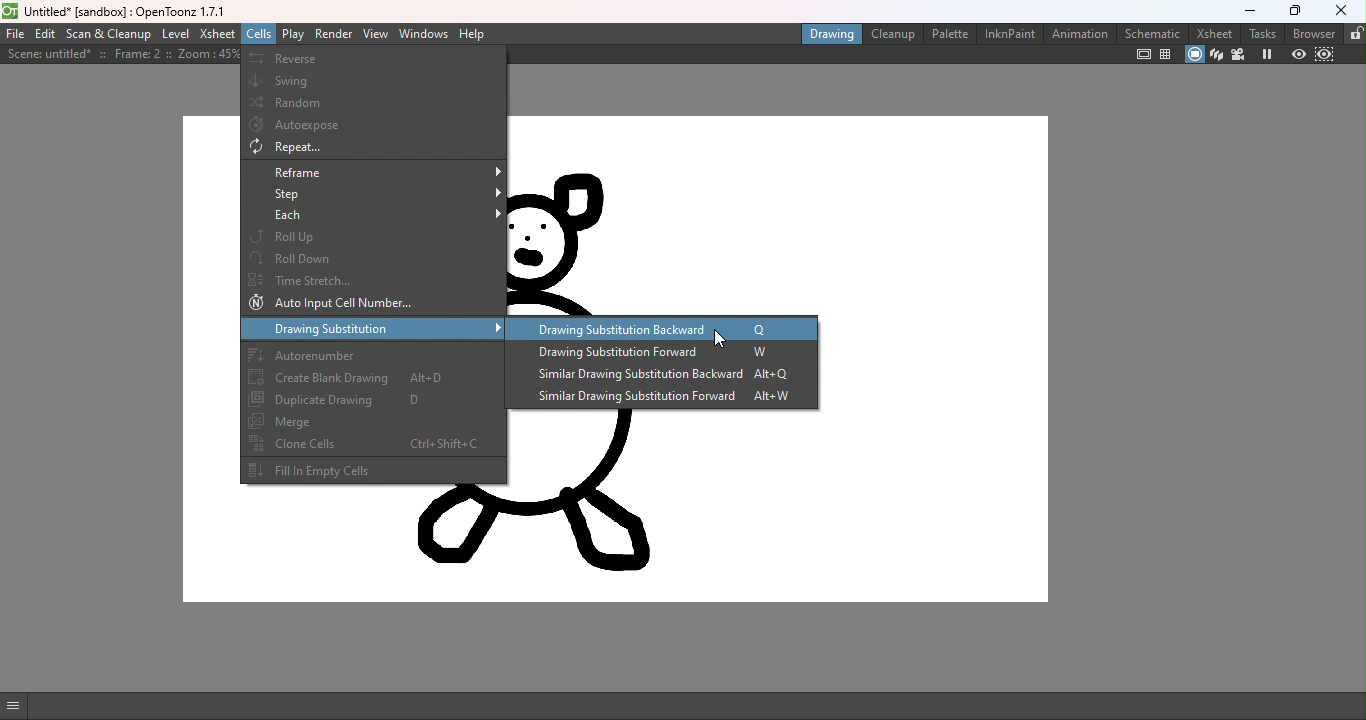  I want to click on Camera view, so click(1240, 56).